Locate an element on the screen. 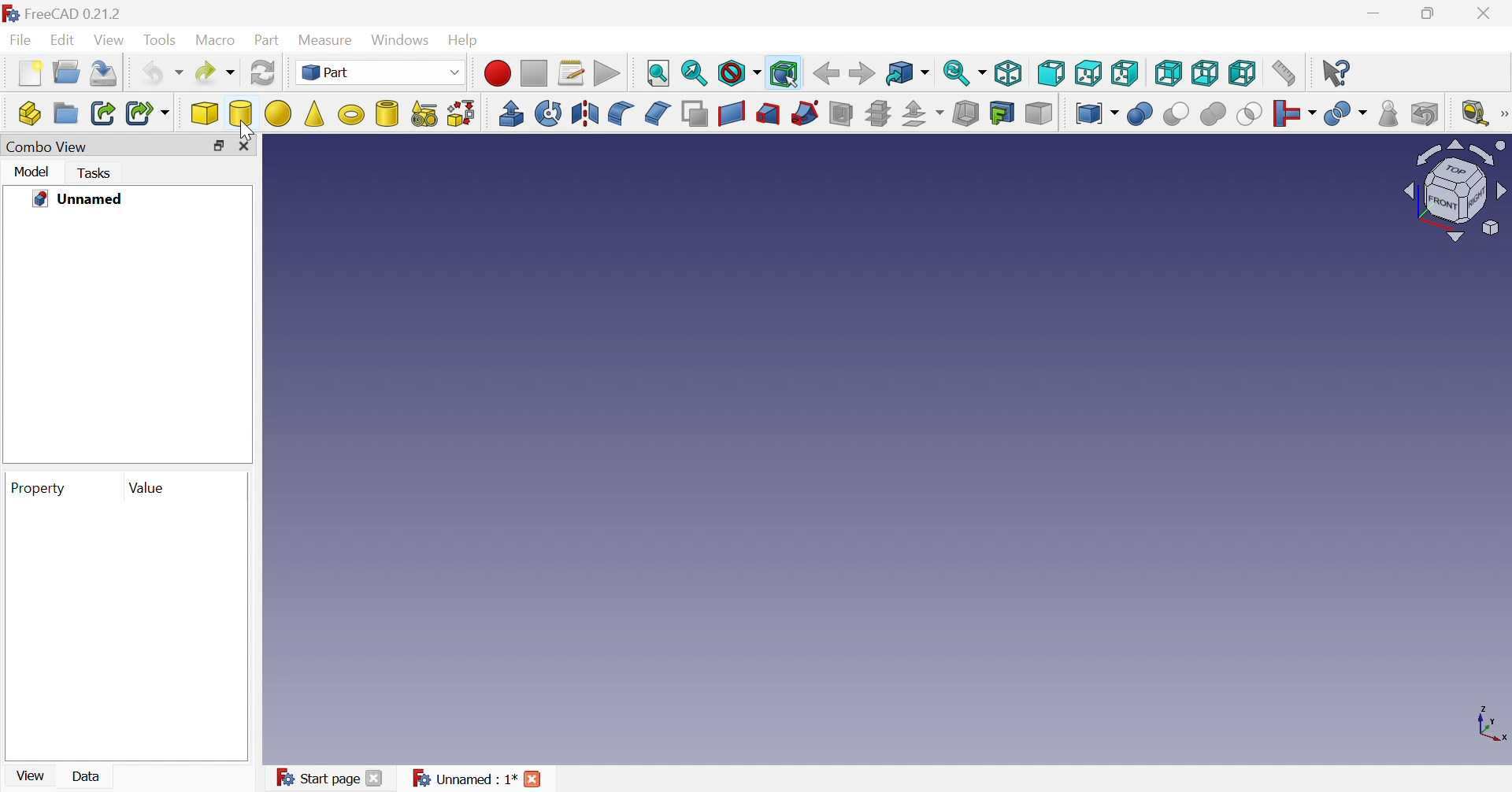 The image size is (1512, 792). Close is located at coordinates (248, 147).